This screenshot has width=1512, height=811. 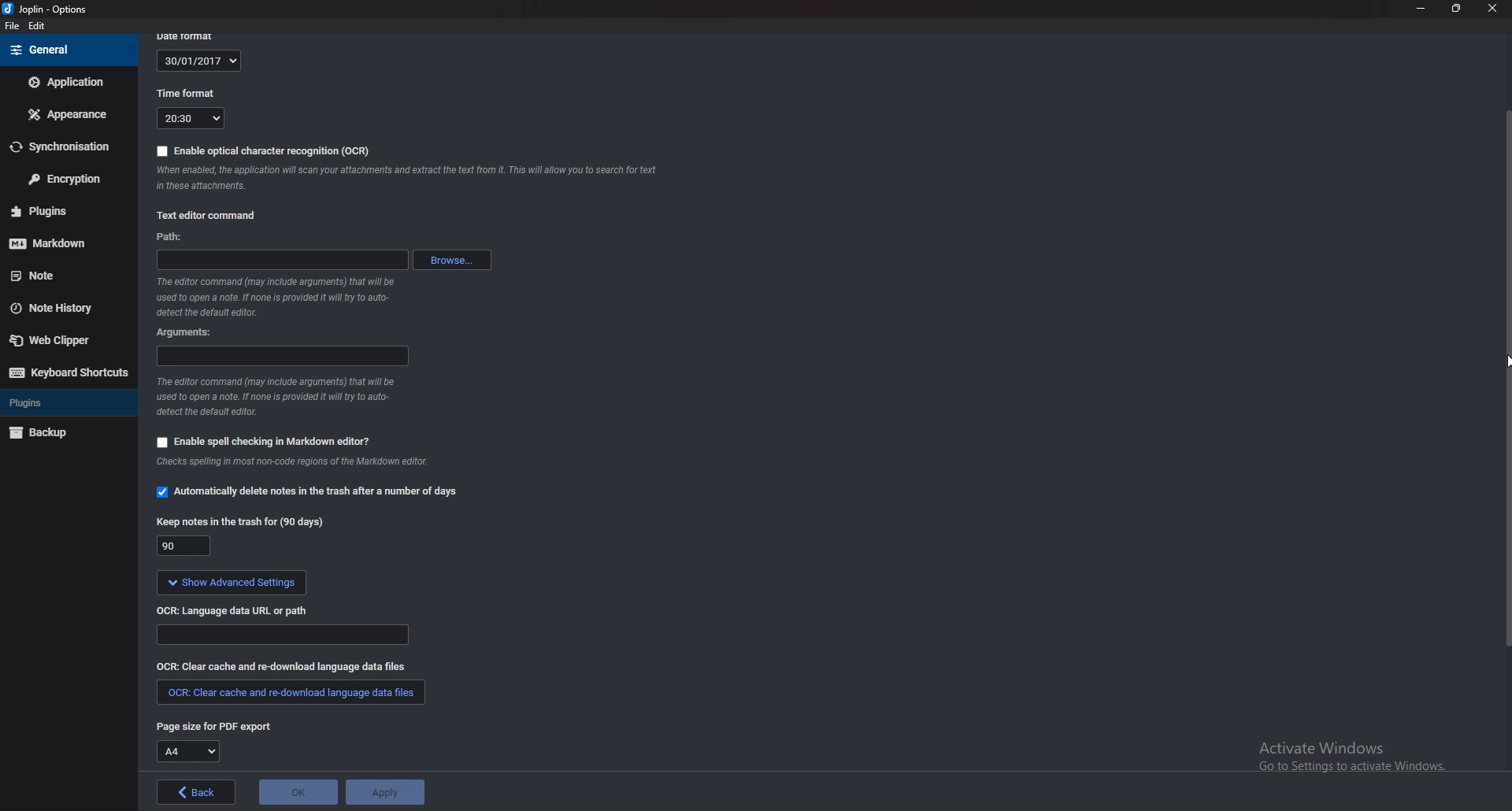 What do you see at coordinates (191, 119) in the screenshot?
I see `20:30` at bounding box center [191, 119].